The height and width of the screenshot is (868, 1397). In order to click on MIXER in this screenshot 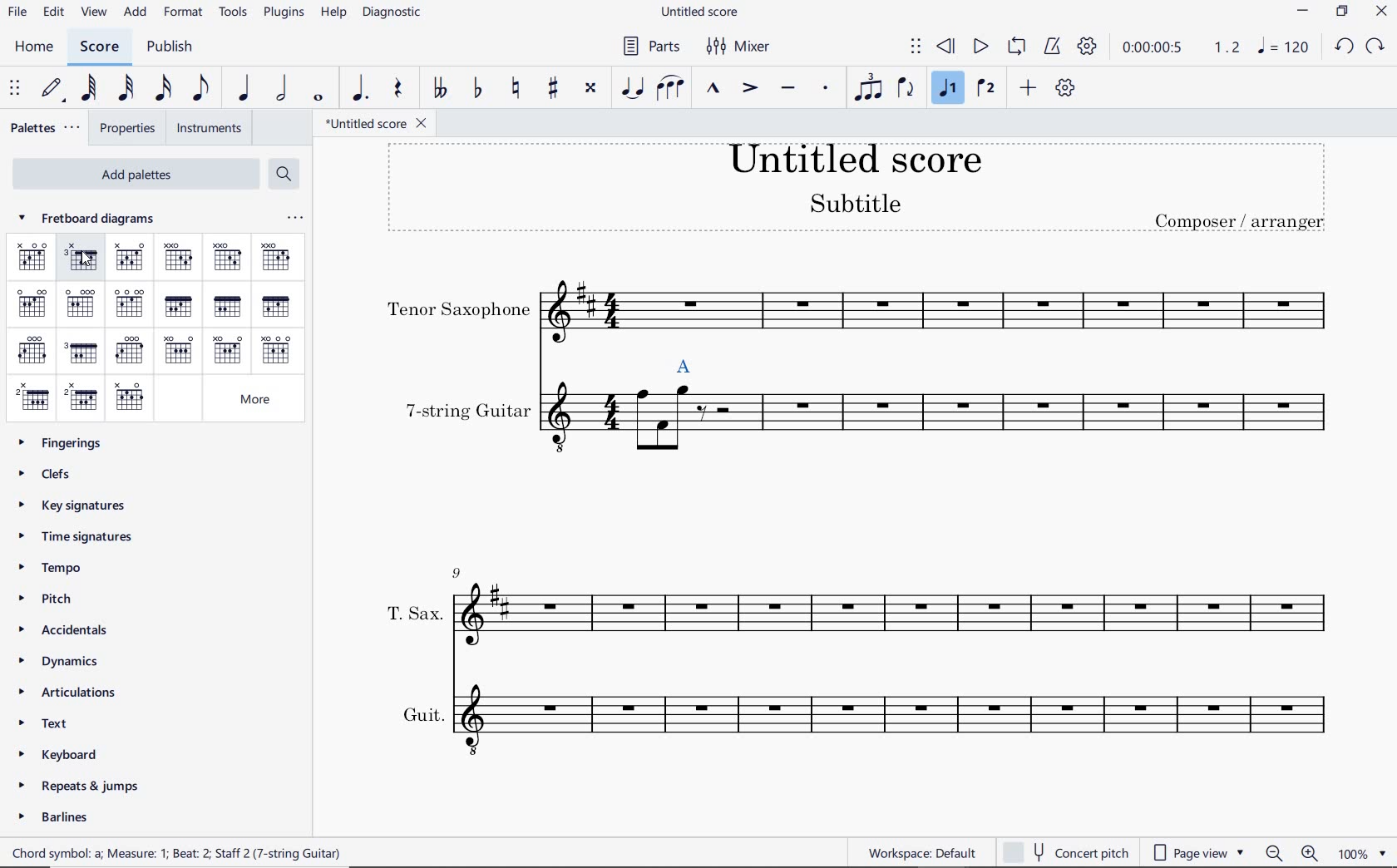, I will do `click(740, 47)`.